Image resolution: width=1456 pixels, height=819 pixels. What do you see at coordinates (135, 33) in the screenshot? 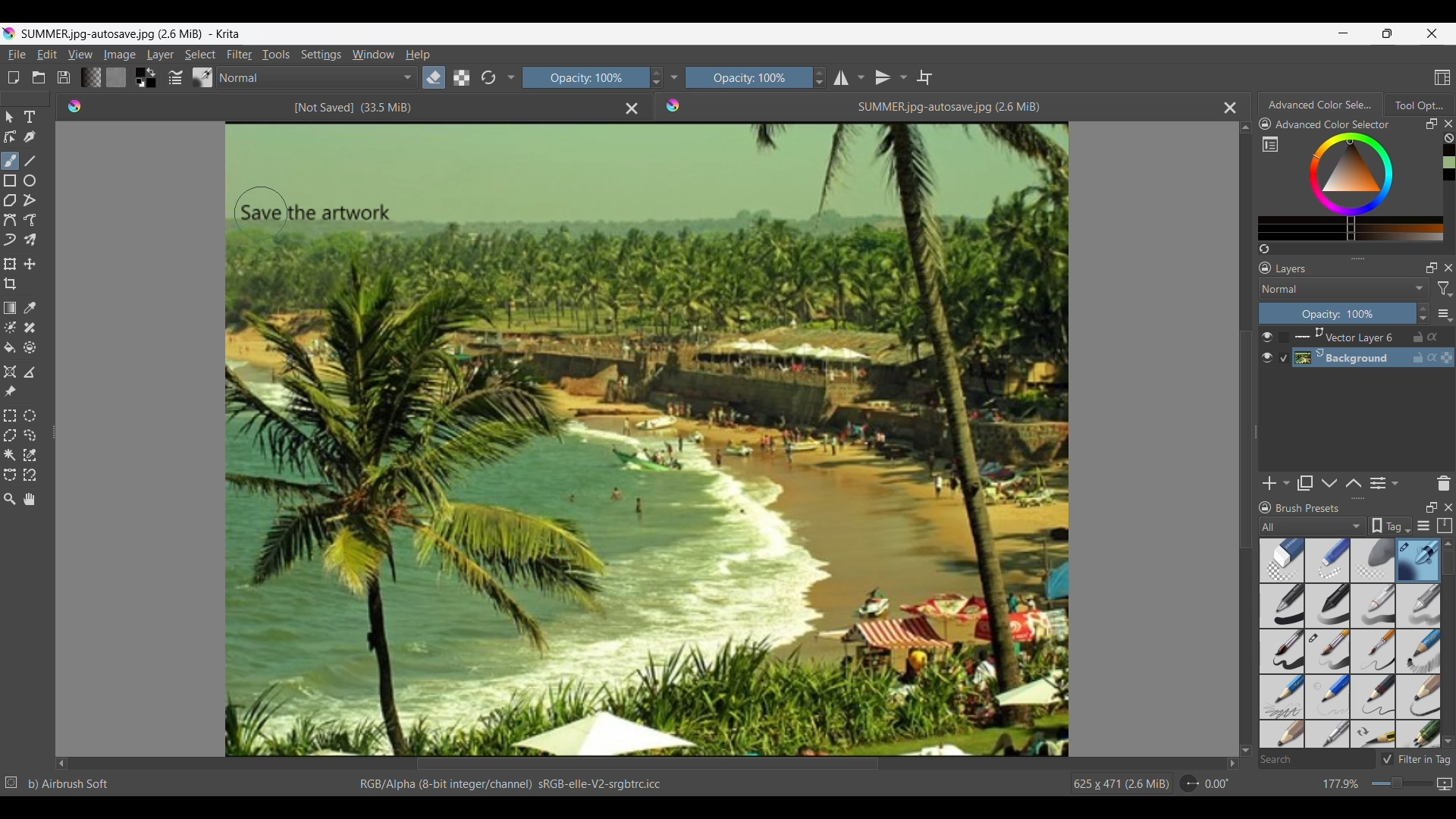
I see `SUMMER.jpg-autosave.jpg (2.6 MiB) - Krita` at bounding box center [135, 33].